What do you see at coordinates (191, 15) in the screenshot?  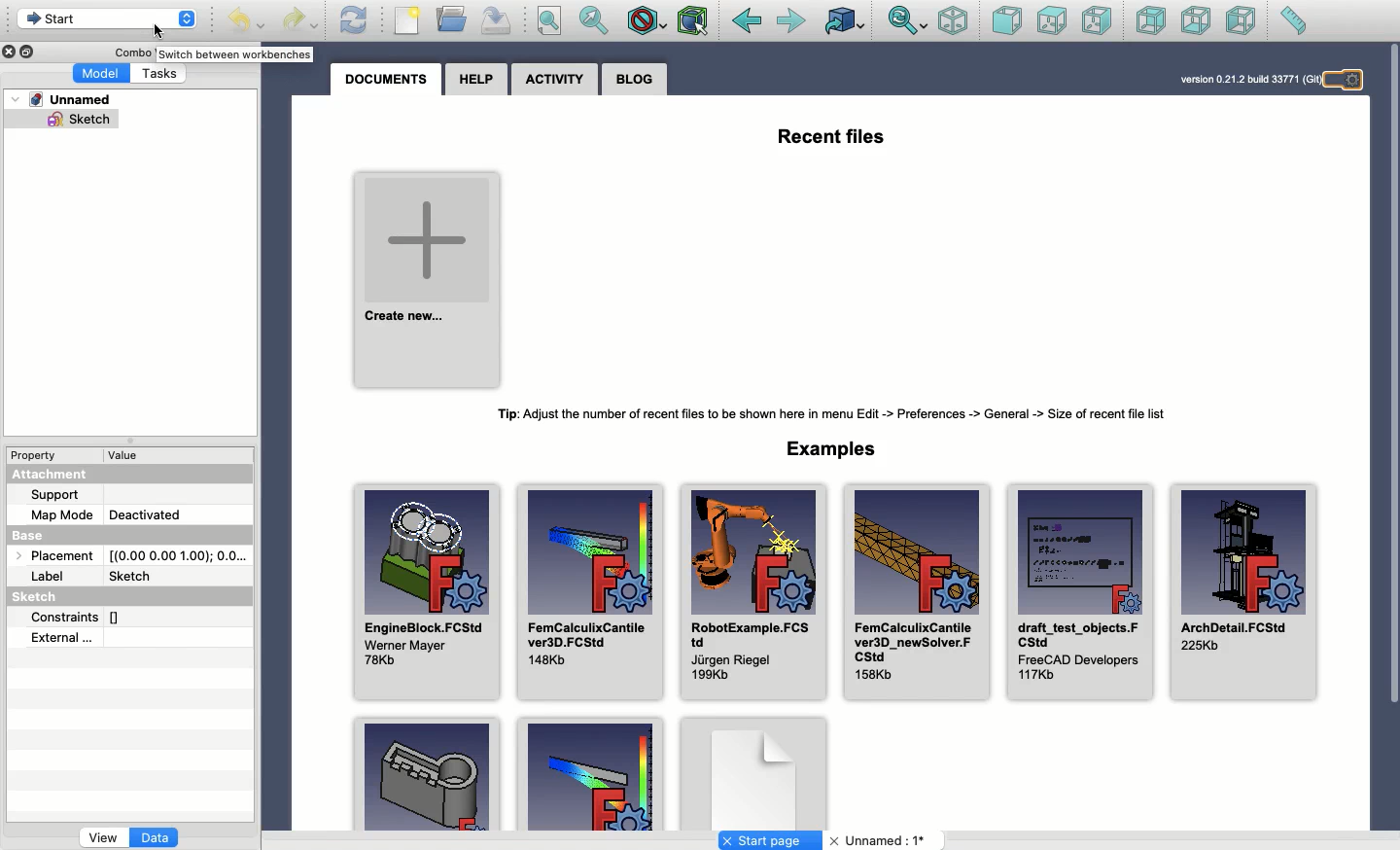 I see `Up arrow` at bounding box center [191, 15].